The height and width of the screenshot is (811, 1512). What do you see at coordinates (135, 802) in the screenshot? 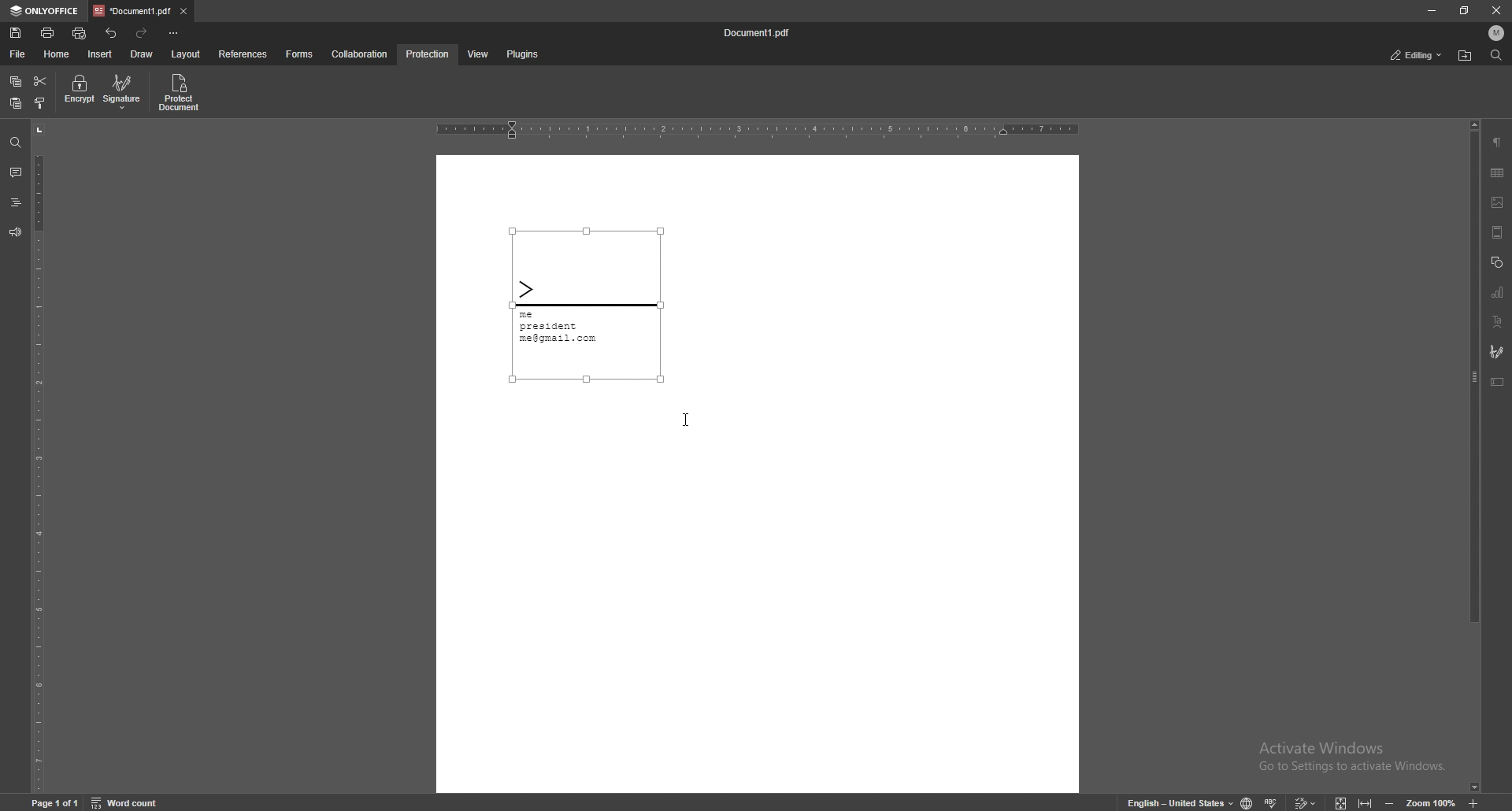
I see `word count` at bounding box center [135, 802].